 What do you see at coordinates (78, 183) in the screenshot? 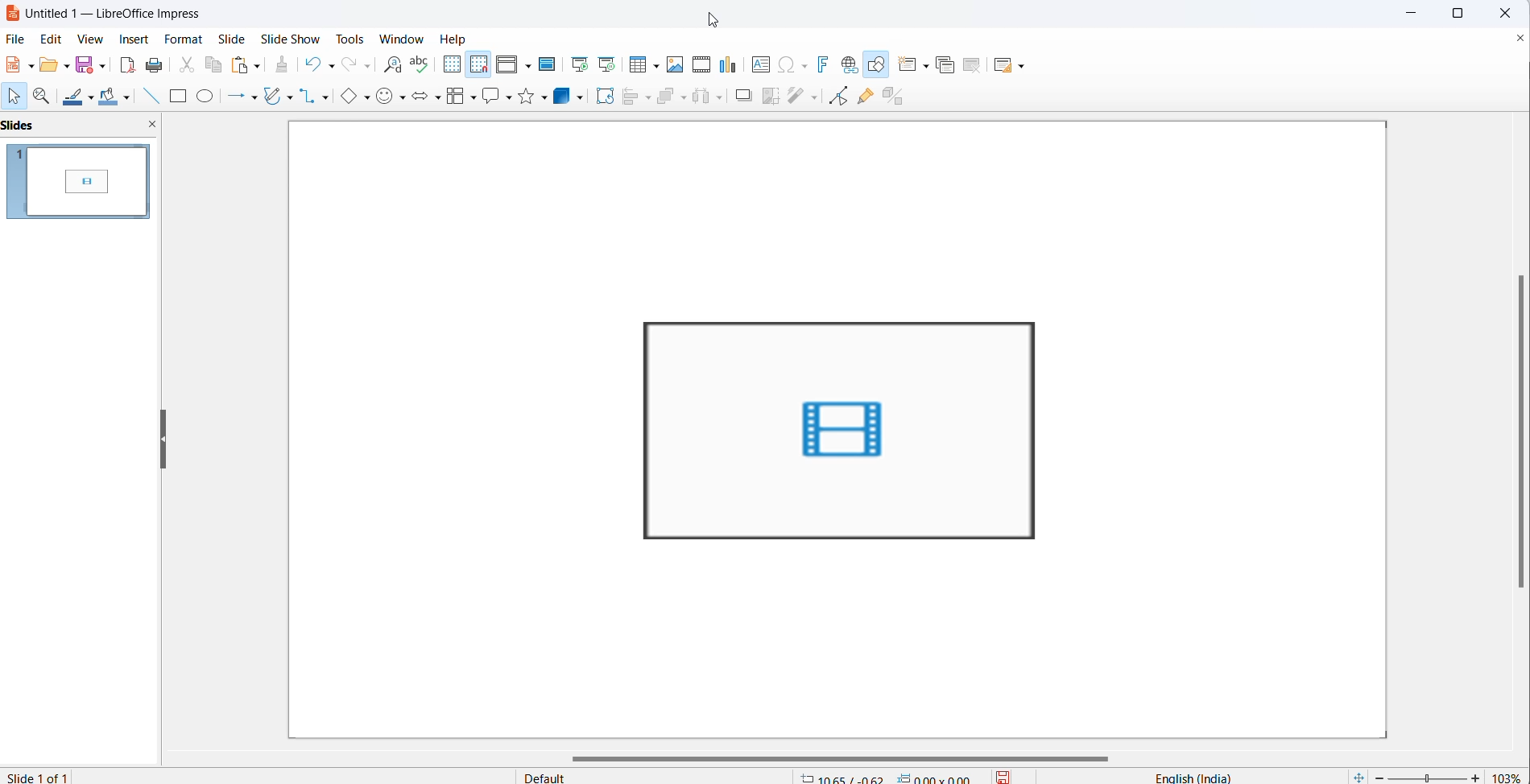
I see `slides` at bounding box center [78, 183].